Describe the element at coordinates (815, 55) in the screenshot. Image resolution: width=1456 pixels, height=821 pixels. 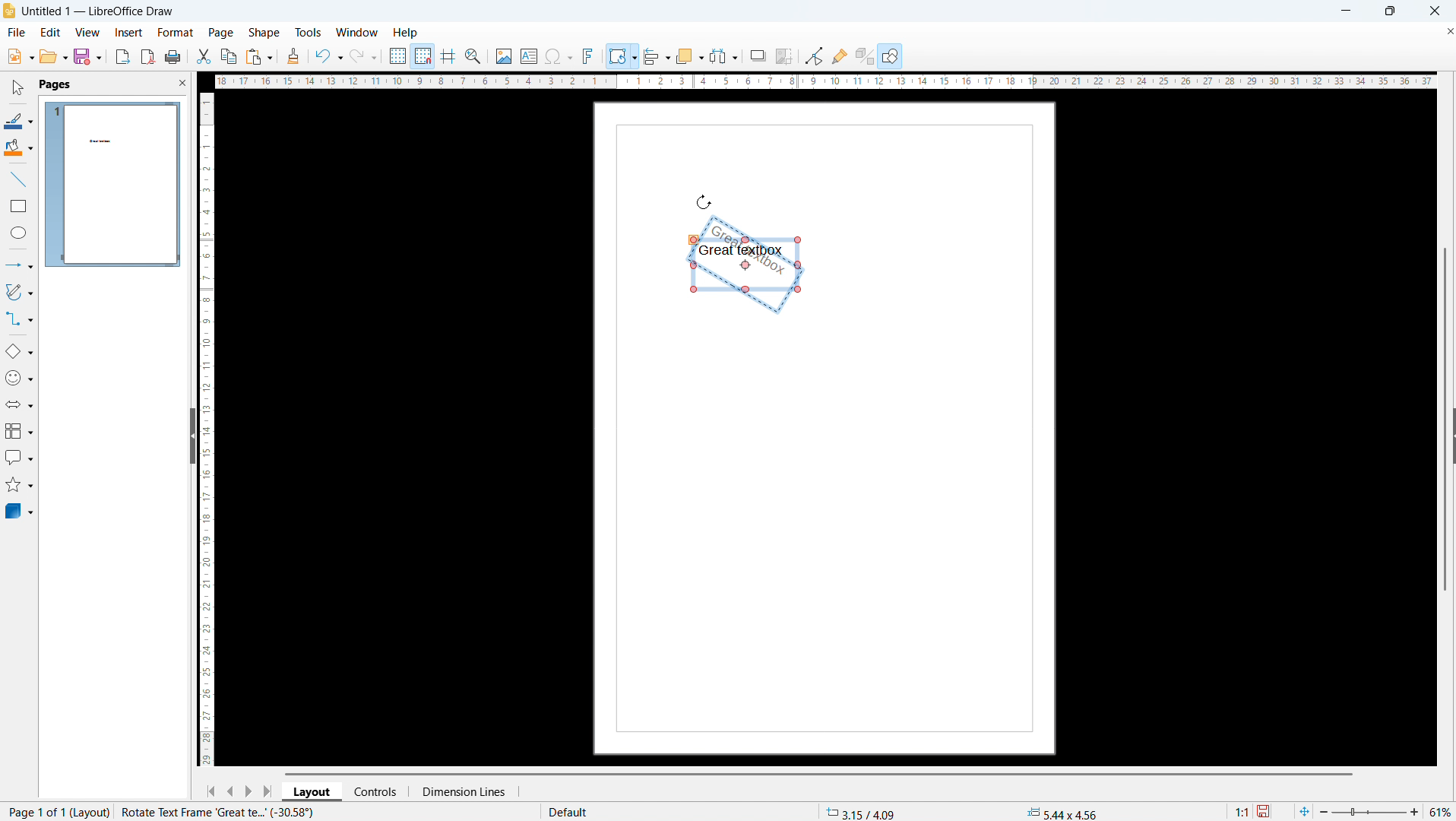
I see `toggle point edit mode` at that location.